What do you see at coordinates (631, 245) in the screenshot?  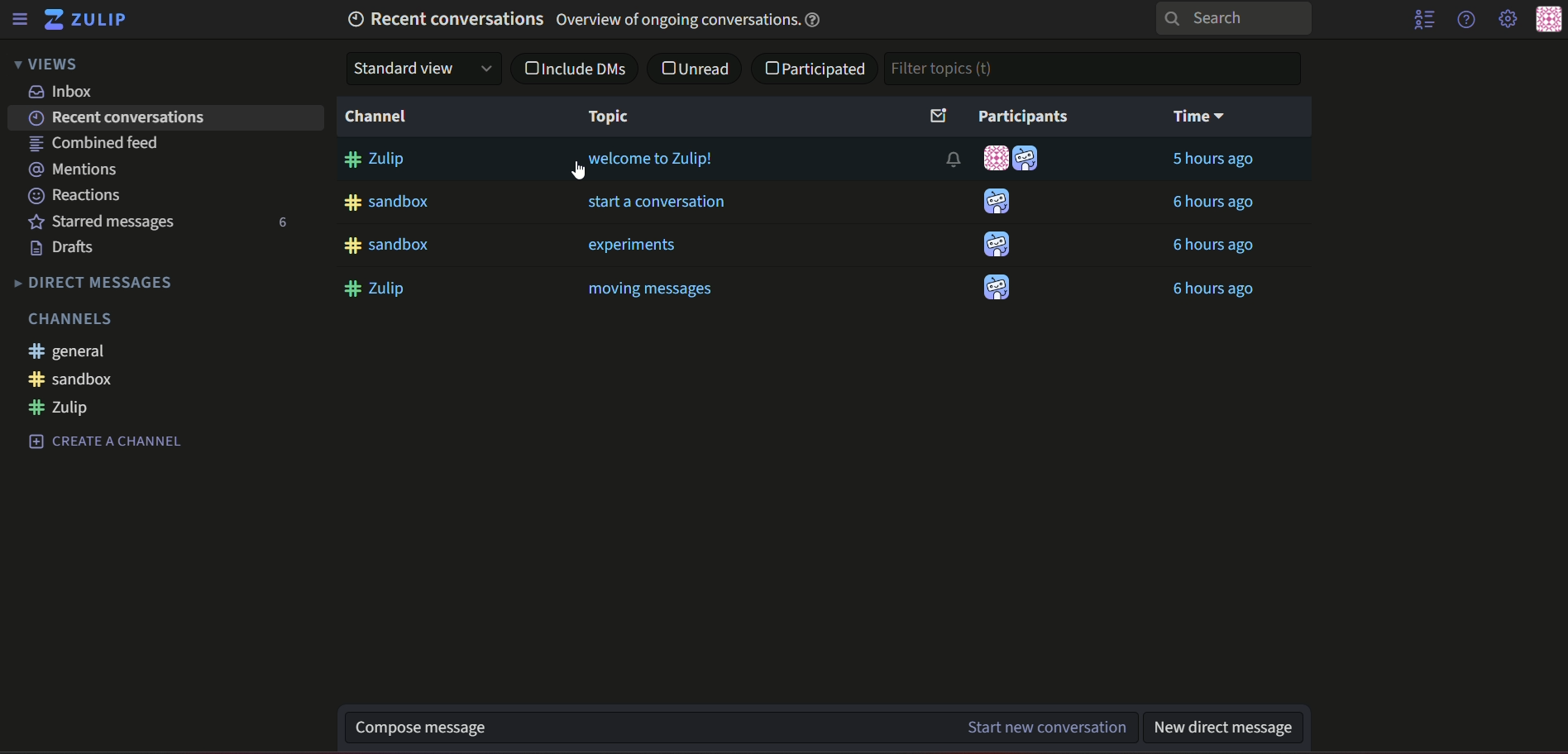 I see `Experiments` at bounding box center [631, 245].